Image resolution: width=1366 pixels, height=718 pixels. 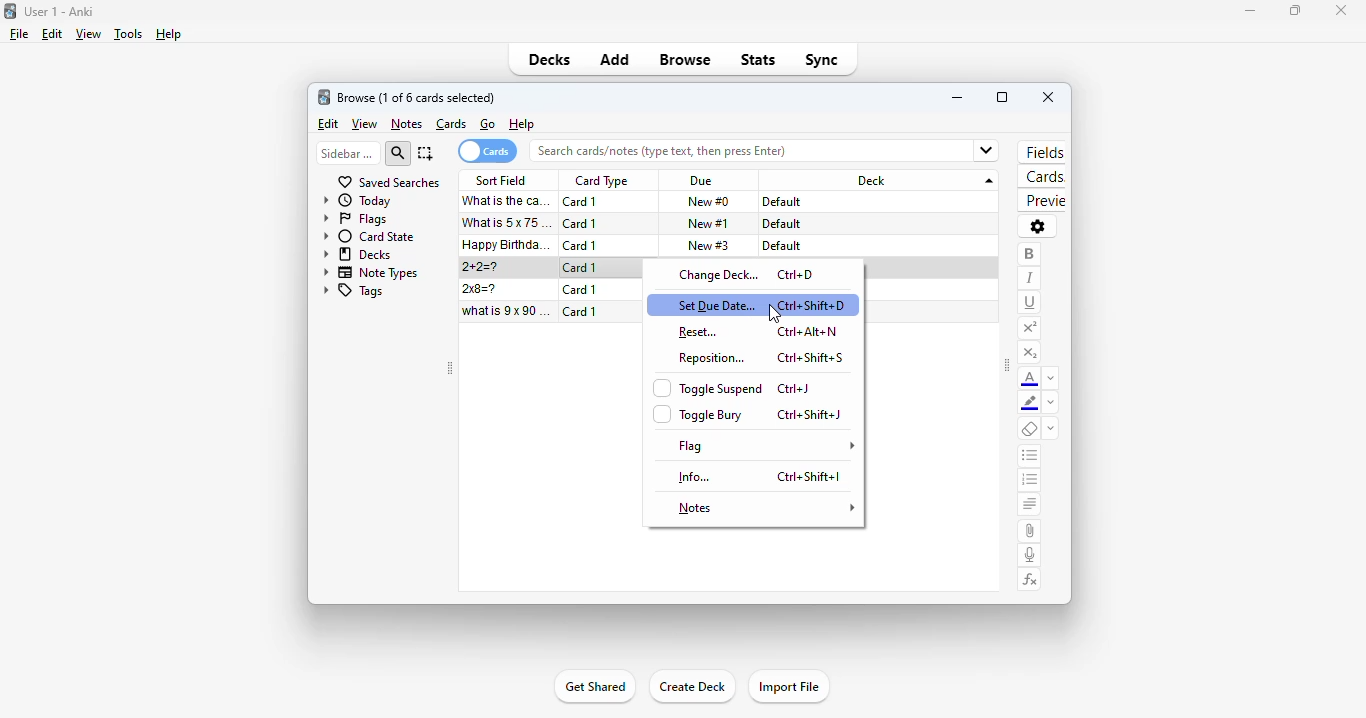 What do you see at coordinates (353, 292) in the screenshot?
I see `tags` at bounding box center [353, 292].